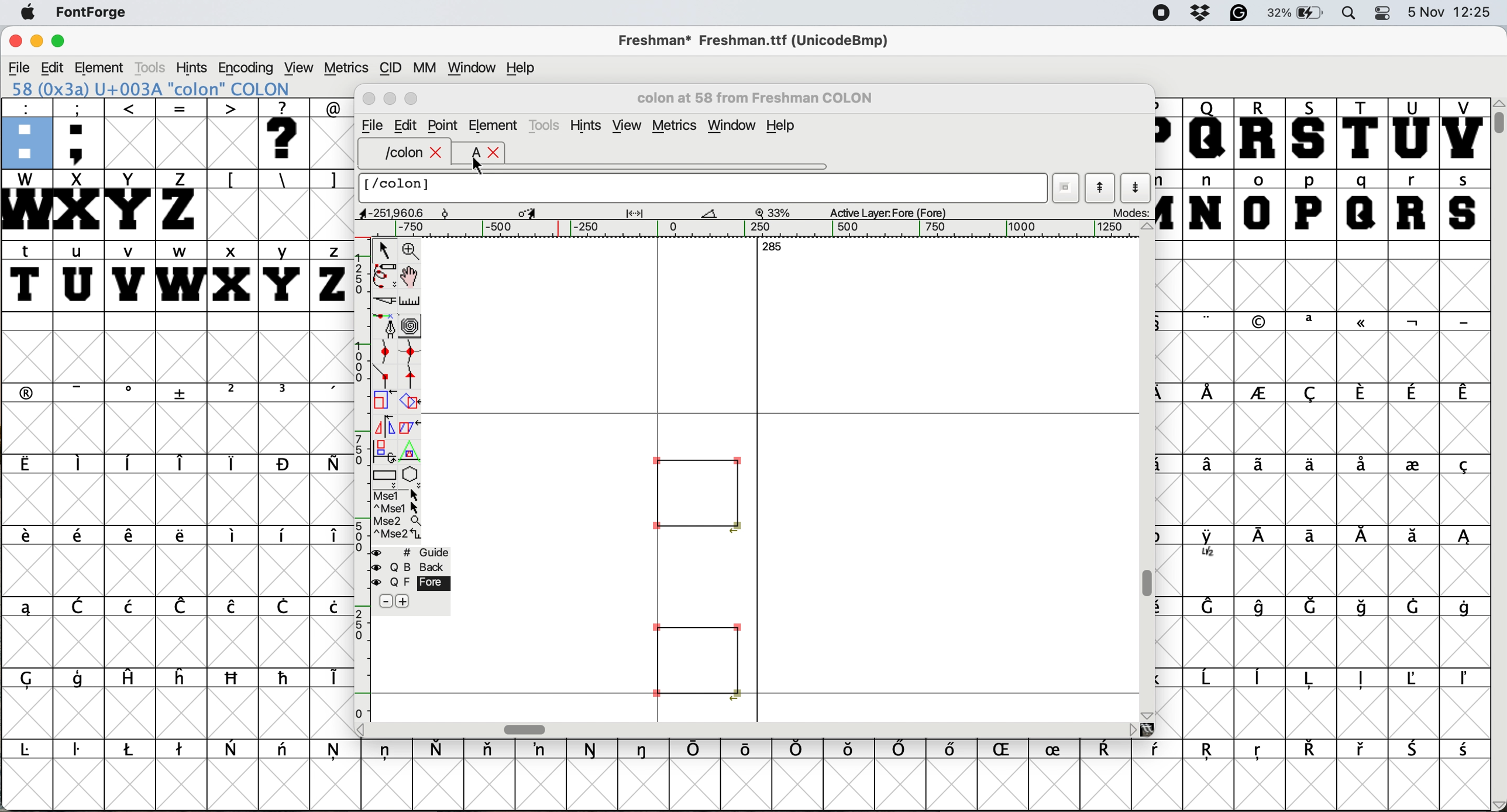 This screenshot has width=1507, height=812. What do you see at coordinates (407, 126) in the screenshot?
I see `edit` at bounding box center [407, 126].